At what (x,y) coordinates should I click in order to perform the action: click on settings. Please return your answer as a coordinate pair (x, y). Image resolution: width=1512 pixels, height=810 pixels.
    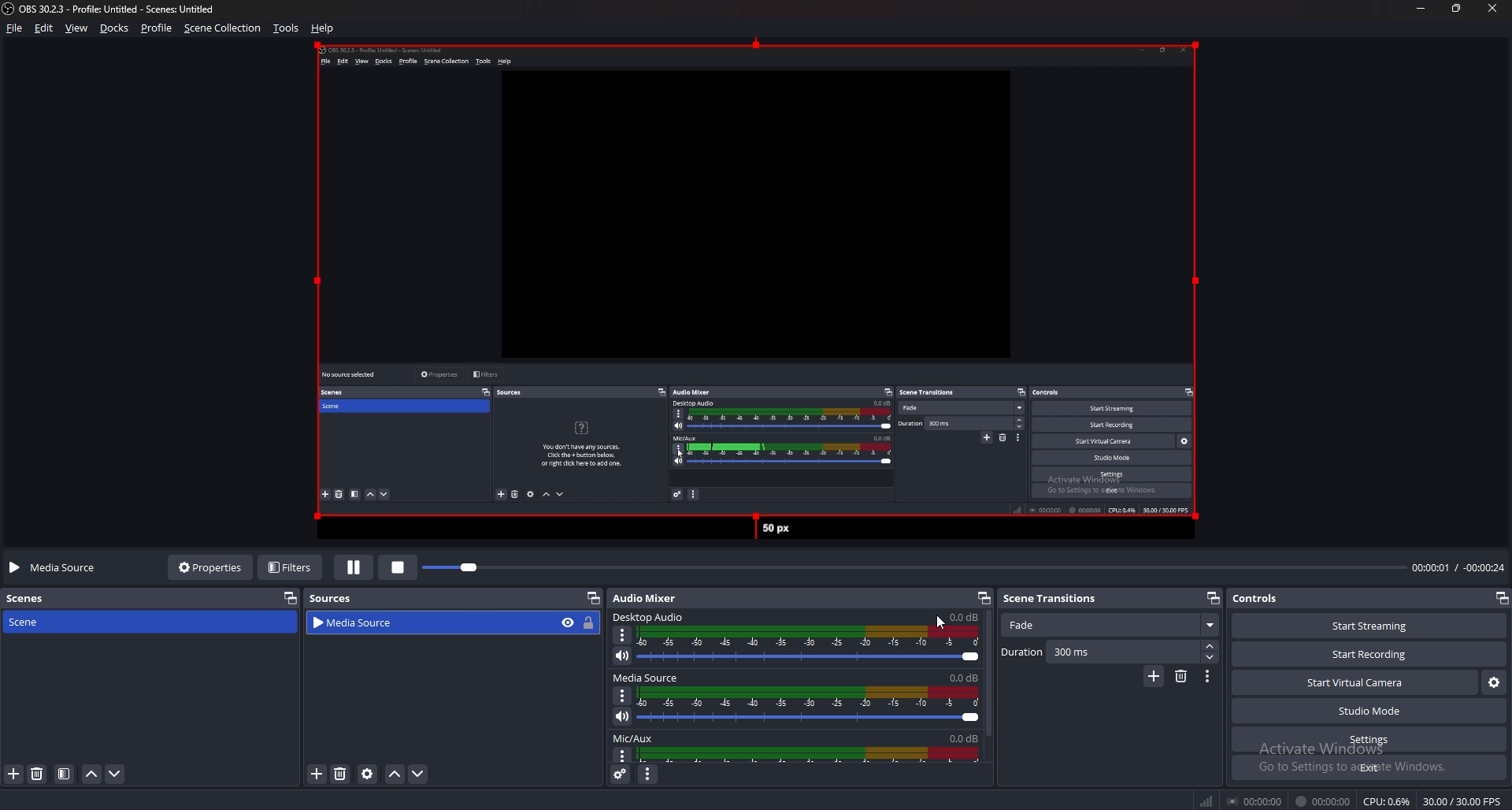
    Looking at the image, I should click on (1367, 740).